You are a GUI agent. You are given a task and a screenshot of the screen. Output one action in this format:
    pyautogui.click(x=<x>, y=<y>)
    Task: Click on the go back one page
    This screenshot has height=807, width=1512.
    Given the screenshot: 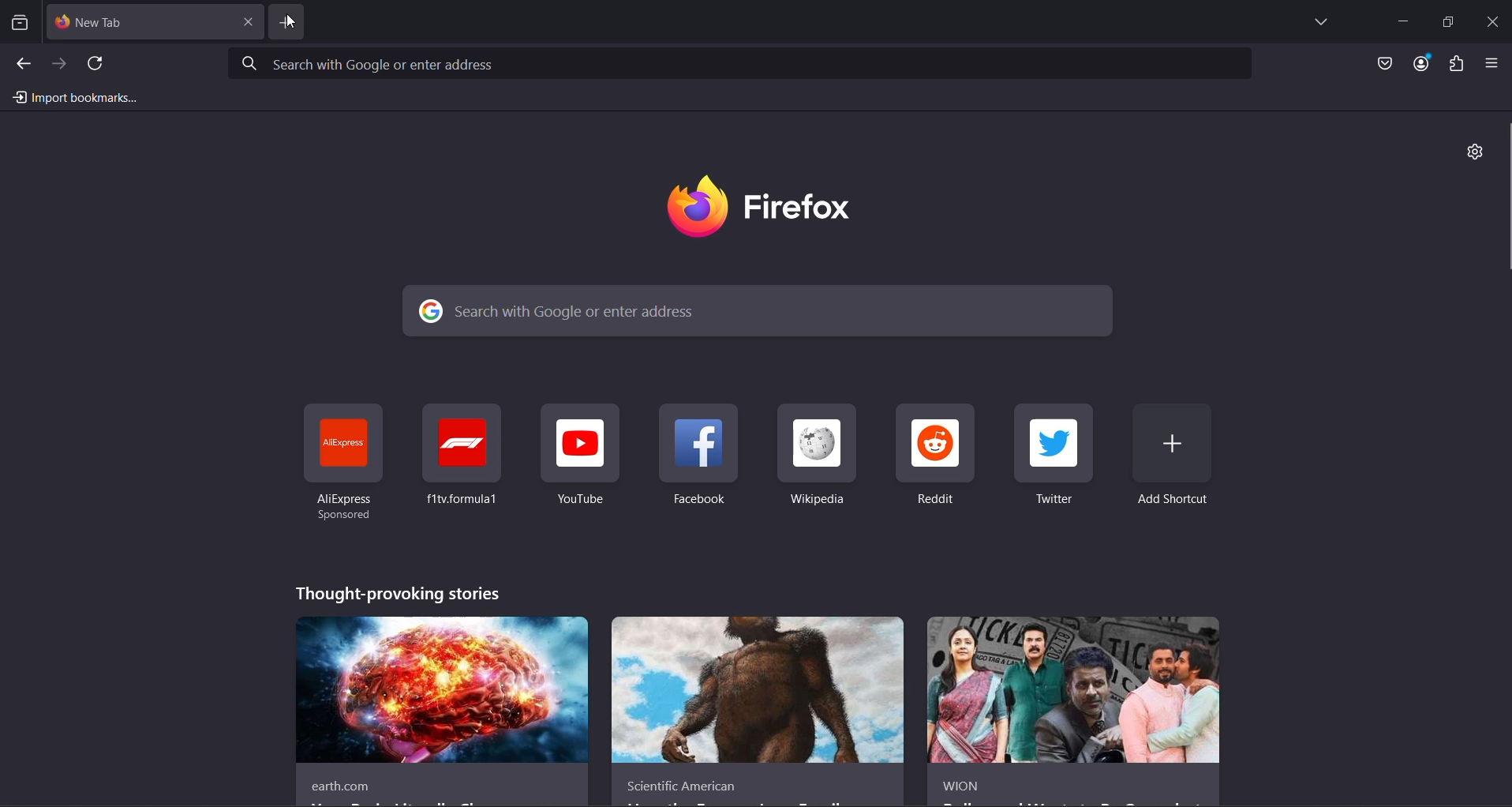 What is the action you would take?
    pyautogui.click(x=28, y=63)
    